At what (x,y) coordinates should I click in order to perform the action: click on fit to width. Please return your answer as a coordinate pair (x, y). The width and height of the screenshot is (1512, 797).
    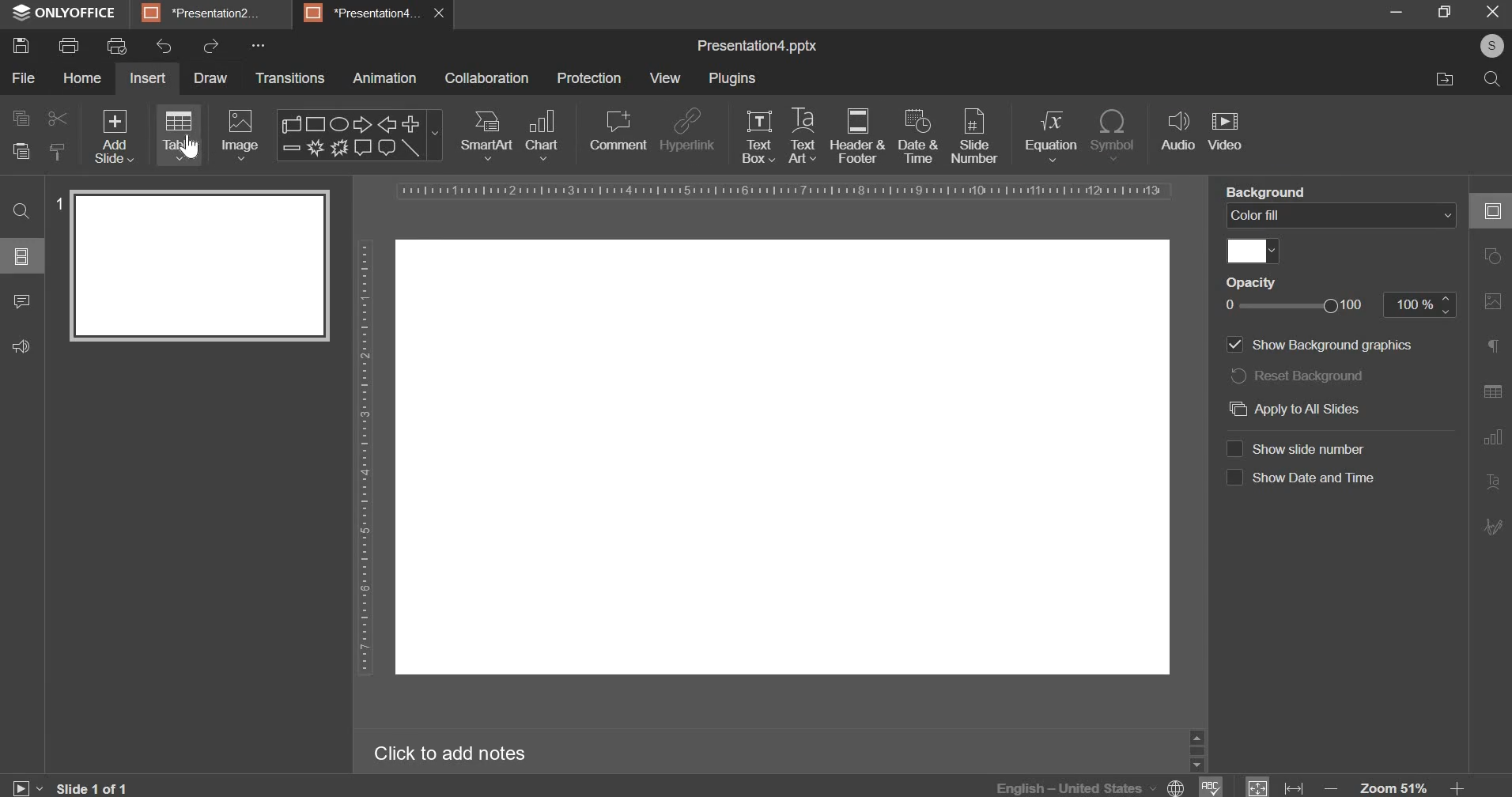
    Looking at the image, I should click on (1295, 786).